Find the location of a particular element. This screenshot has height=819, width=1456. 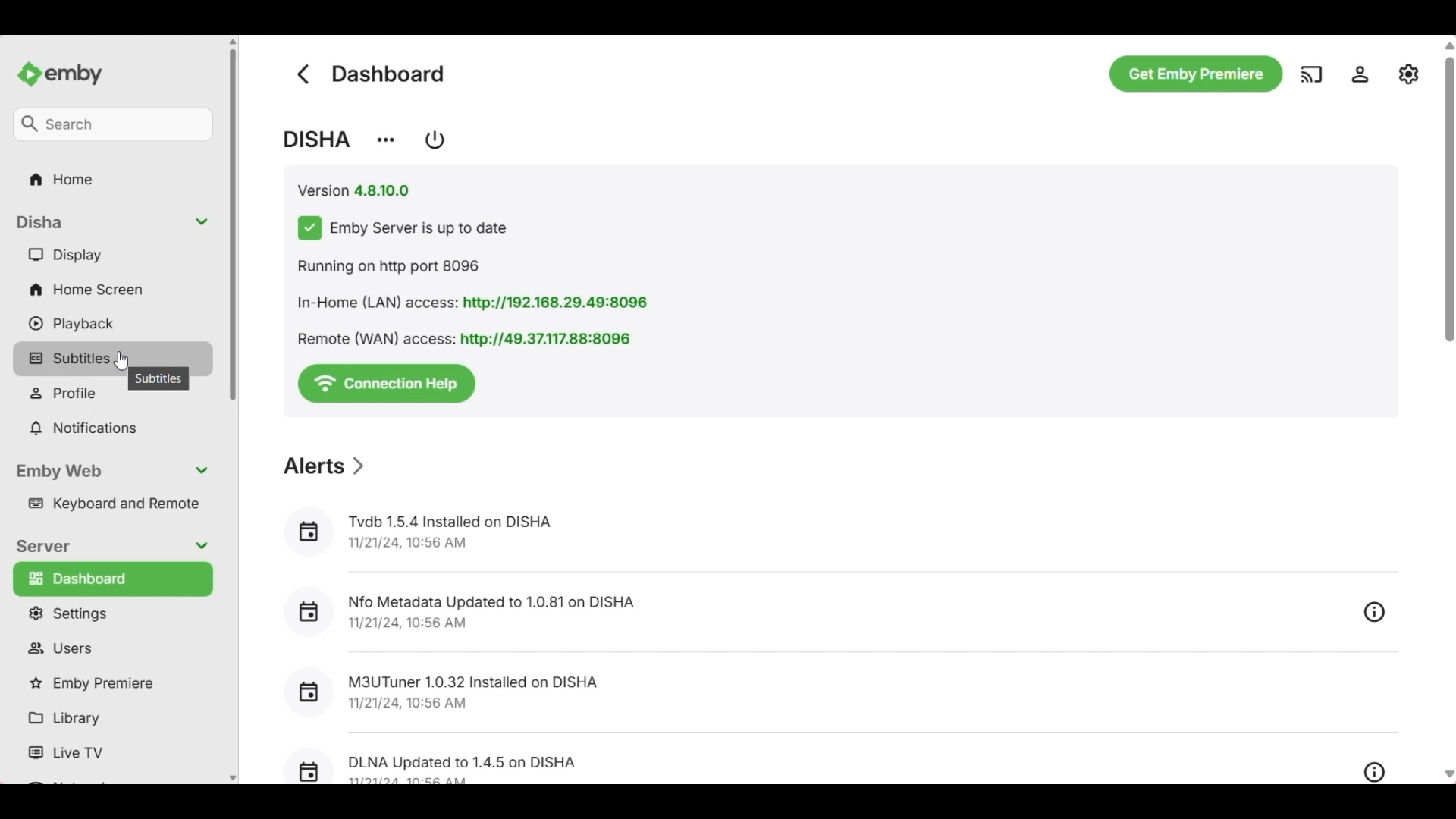

 is located at coordinates (1410, 72).